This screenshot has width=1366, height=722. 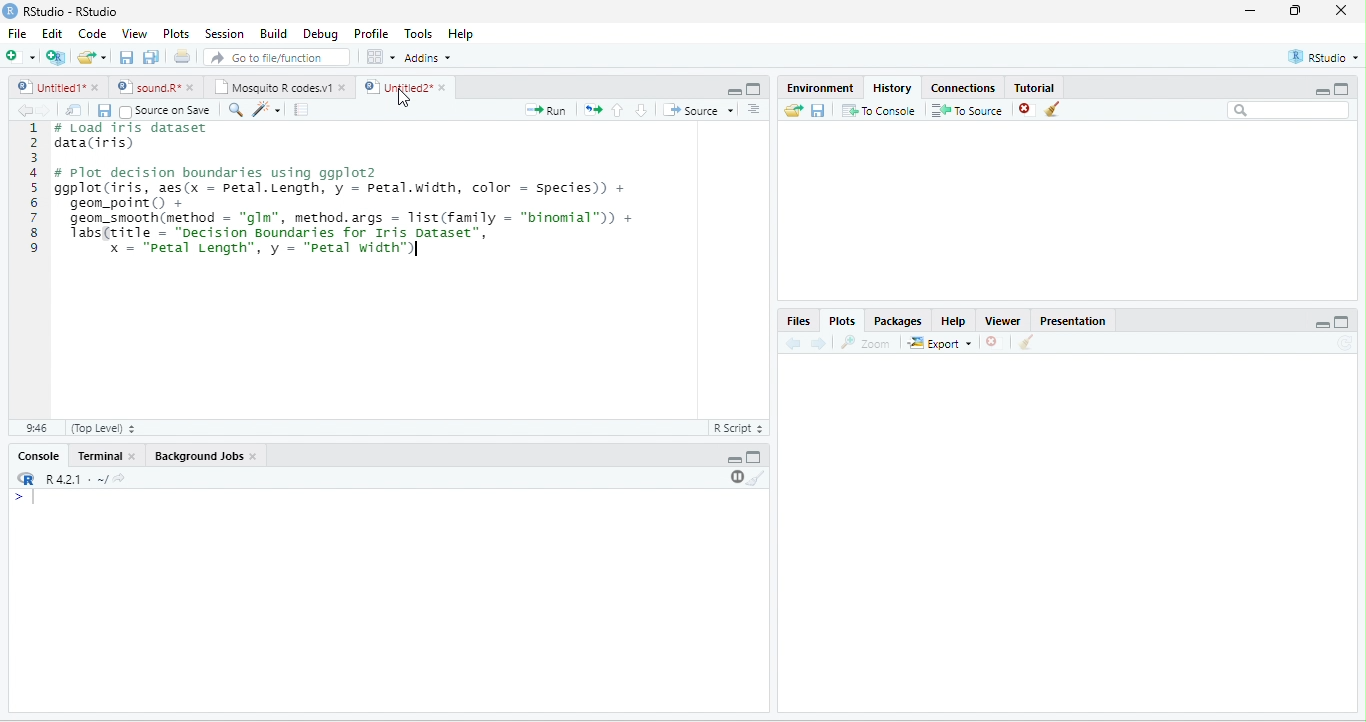 What do you see at coordinates (192, 88) in the screenshot?
I see `close` at bounding box center [192, 88].